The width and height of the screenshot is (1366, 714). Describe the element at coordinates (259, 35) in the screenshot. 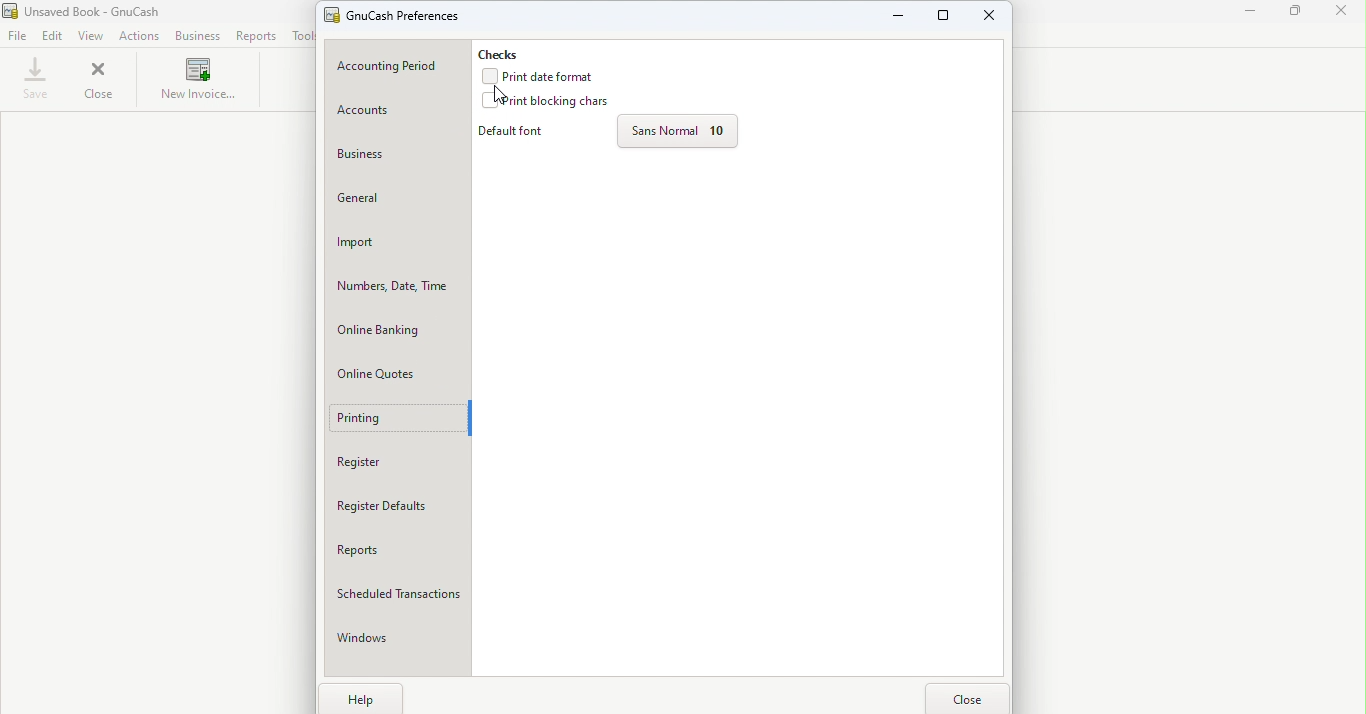

I see `Reports` at that location.